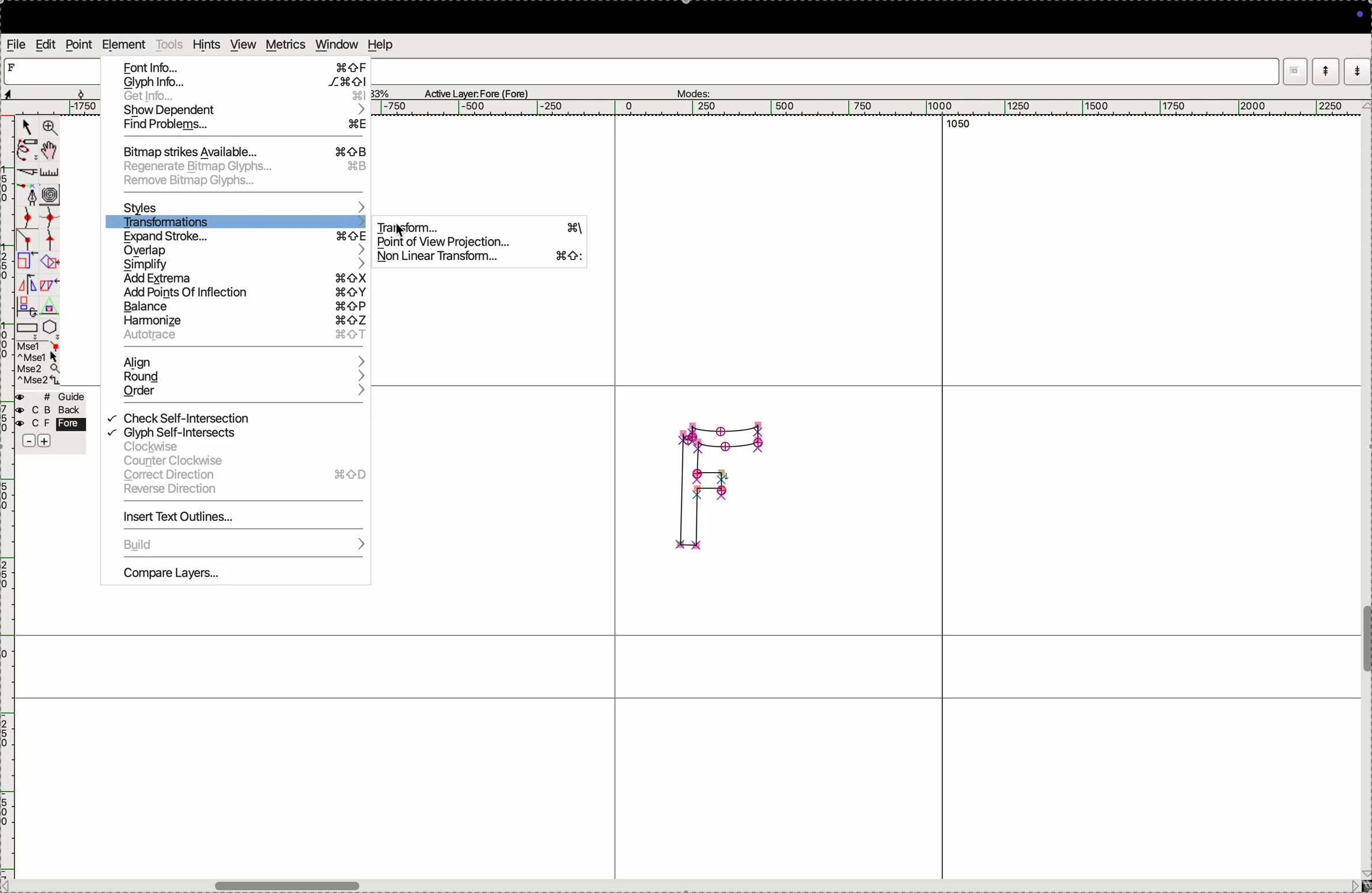  I want to click on horizontal scale, so click(861, 108).